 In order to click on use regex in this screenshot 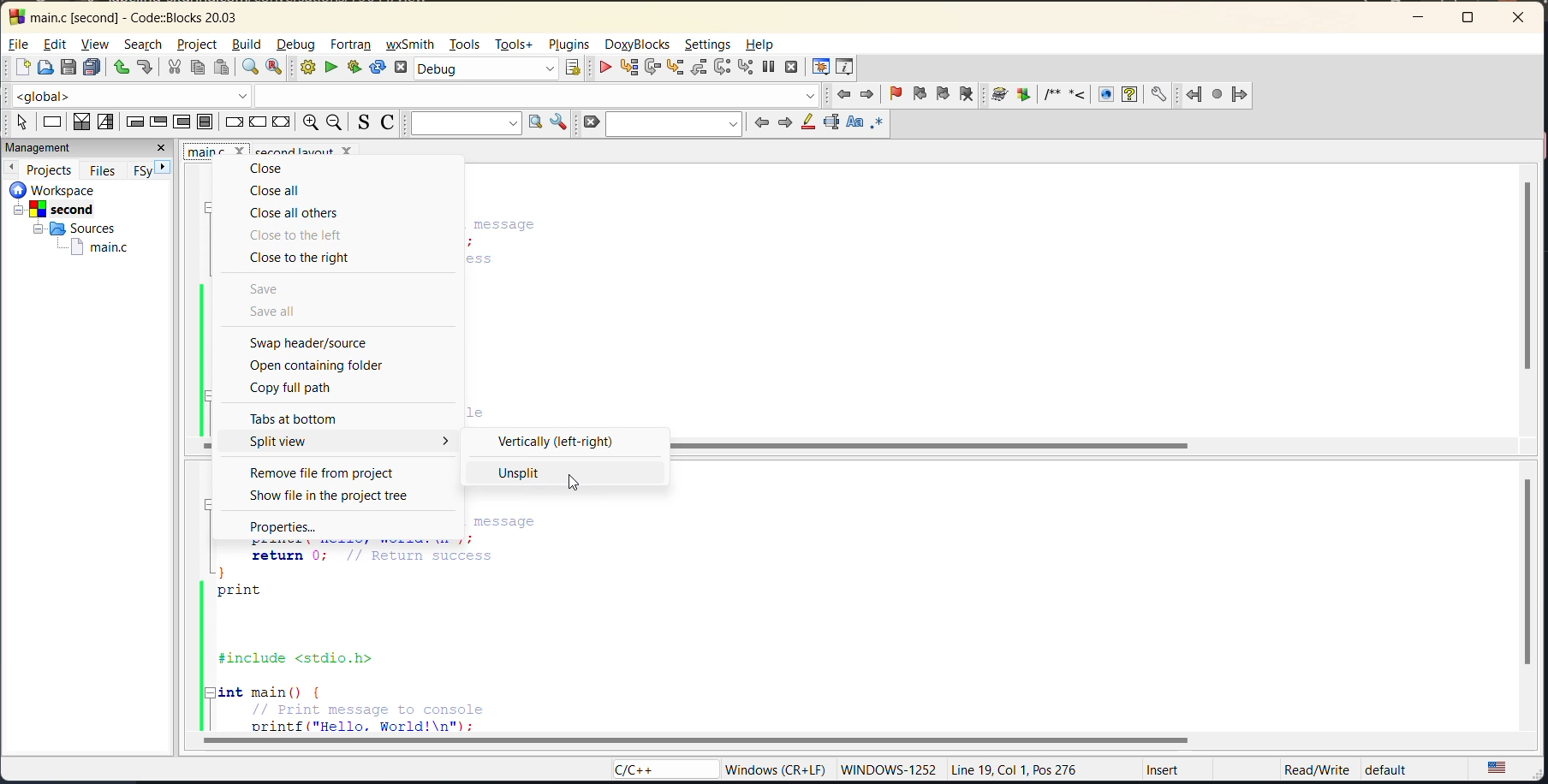, I will do `click(877, 124)`.